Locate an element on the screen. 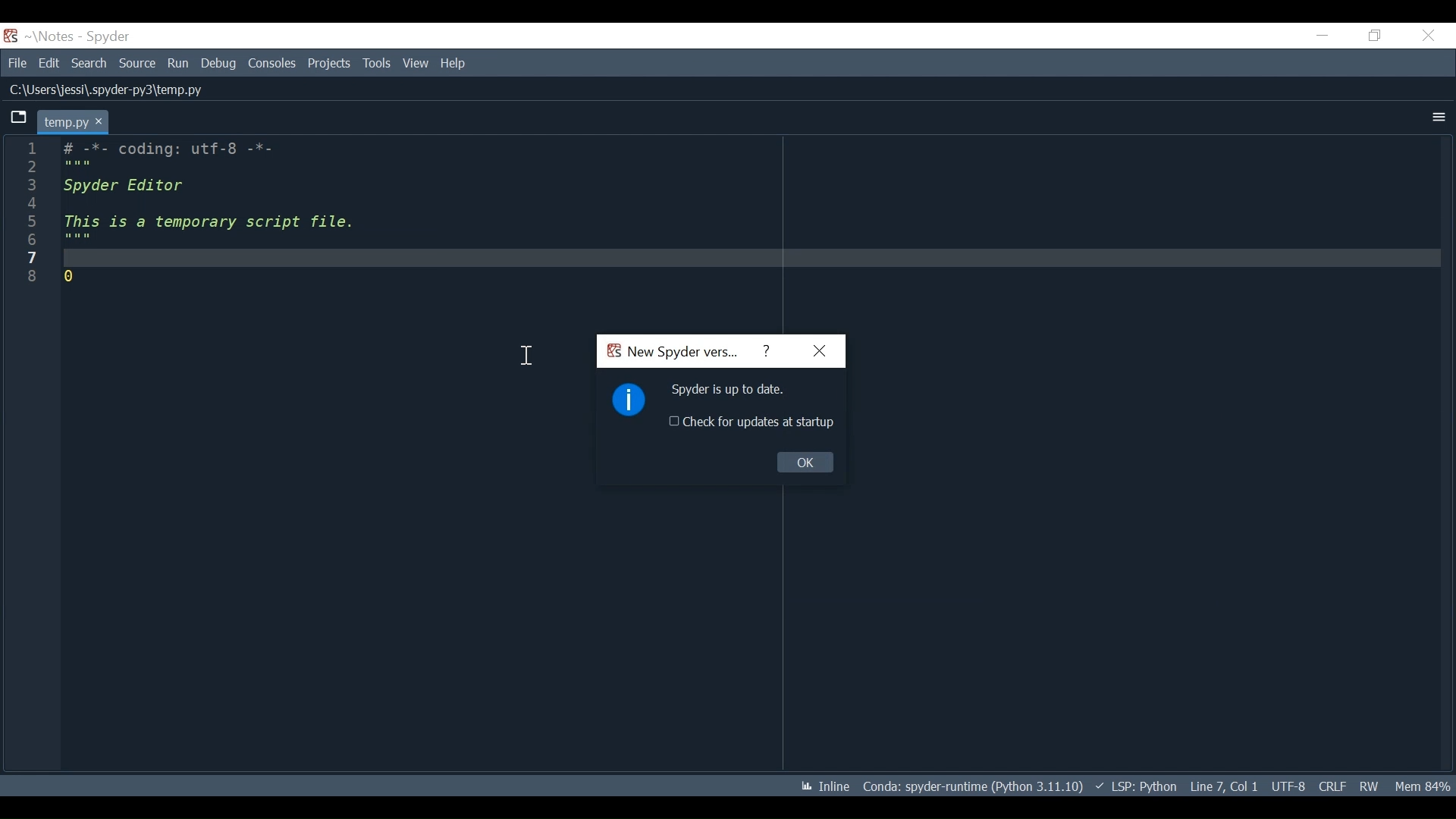 This screenshot has height=819, width=1456. Information is located at coordinates (629, 400).